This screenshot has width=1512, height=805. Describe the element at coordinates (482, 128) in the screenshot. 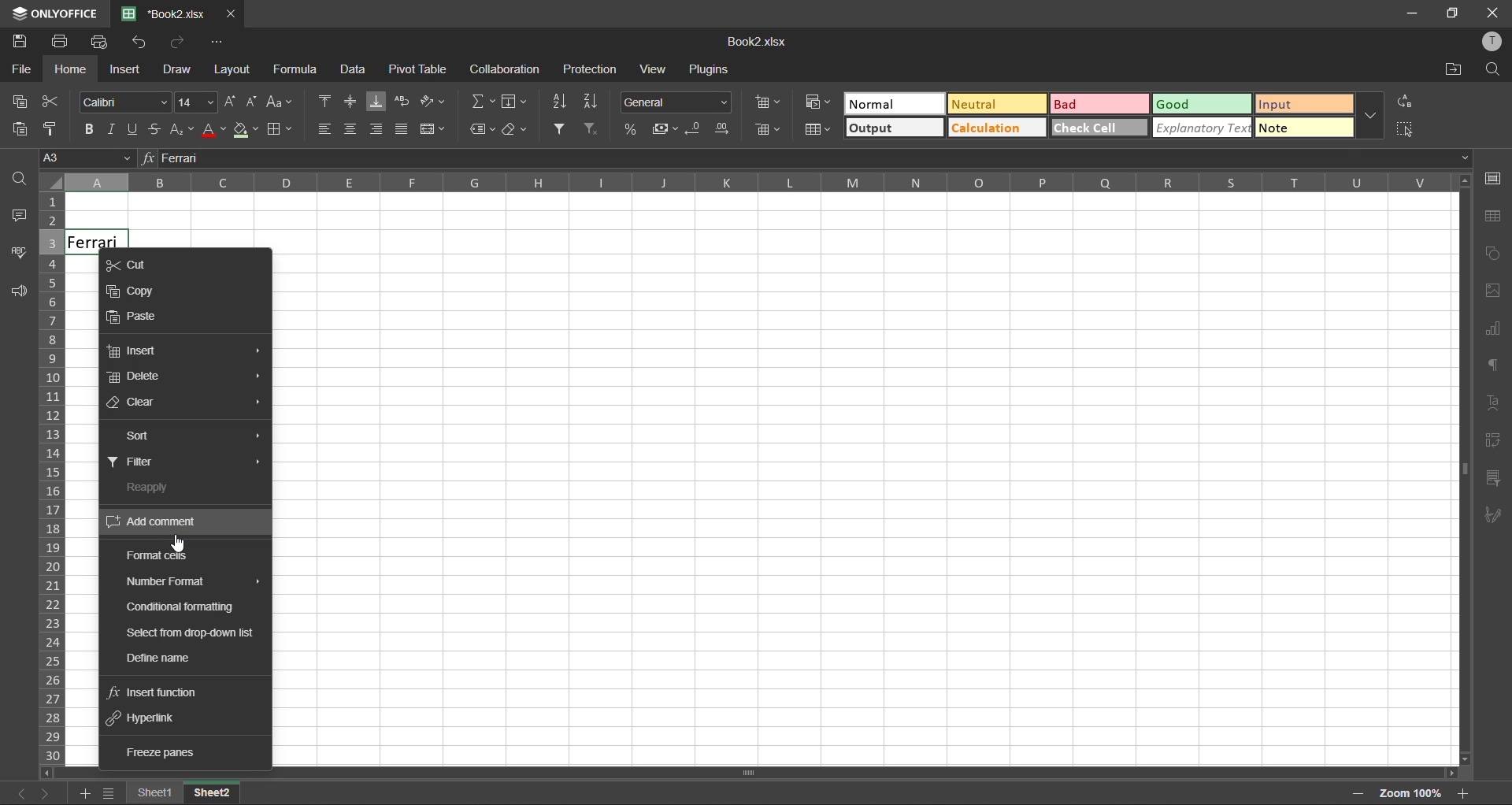

I see `named ranges` at that location.